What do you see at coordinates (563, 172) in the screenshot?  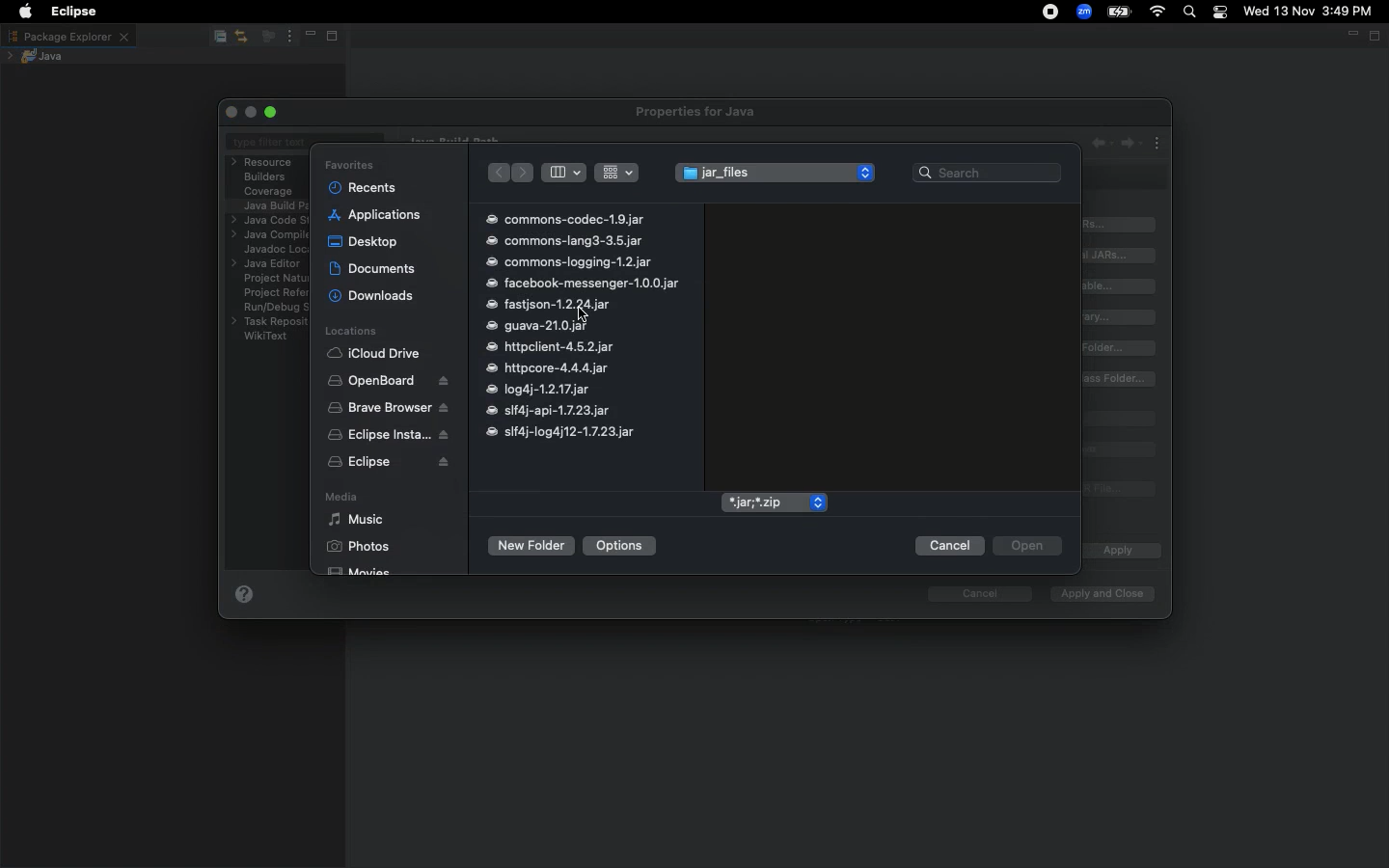 I see `View columns` at bounding box center [563, 172].